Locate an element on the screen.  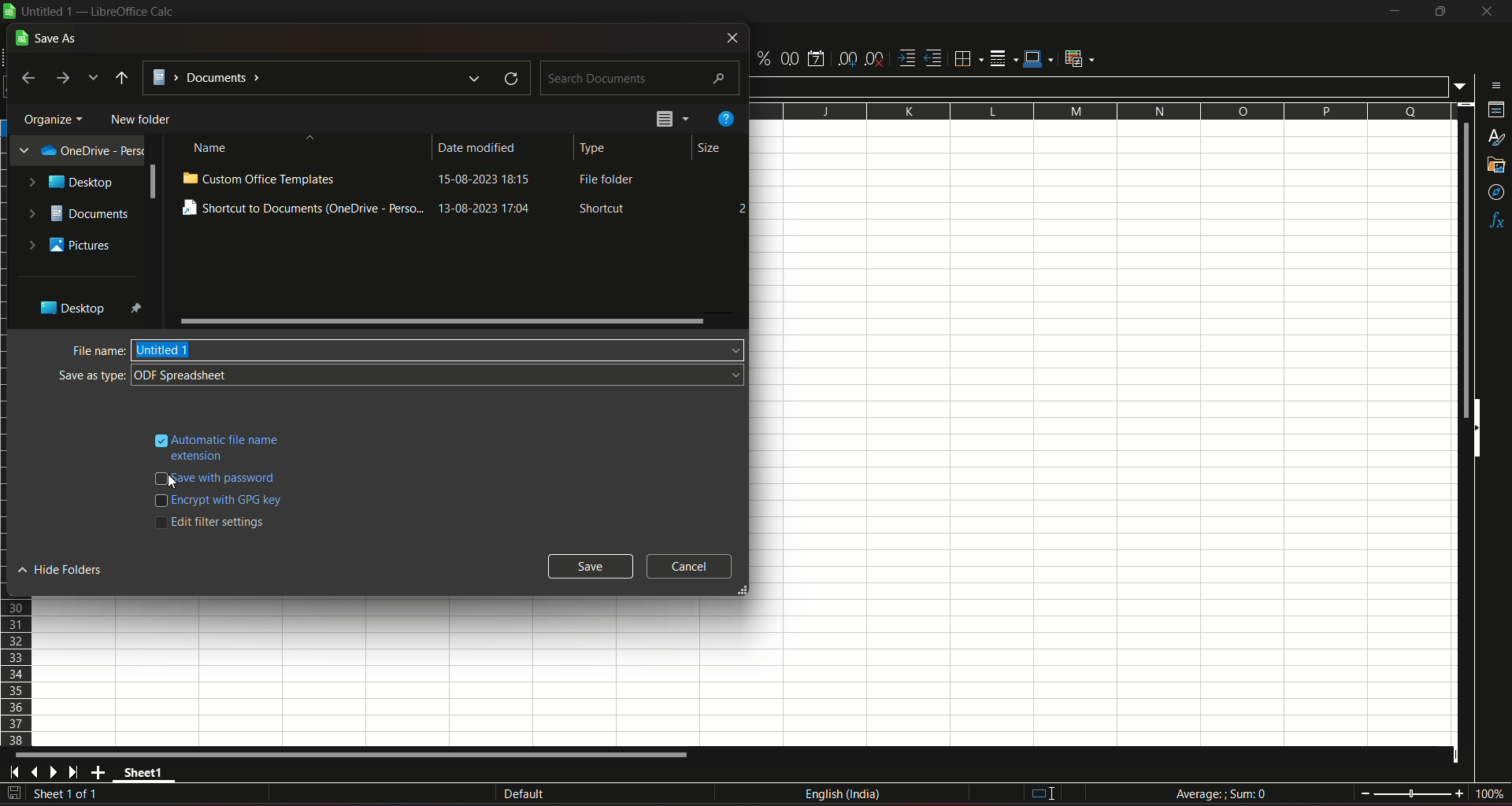
decrease indent is located at coordinates (934, 59).